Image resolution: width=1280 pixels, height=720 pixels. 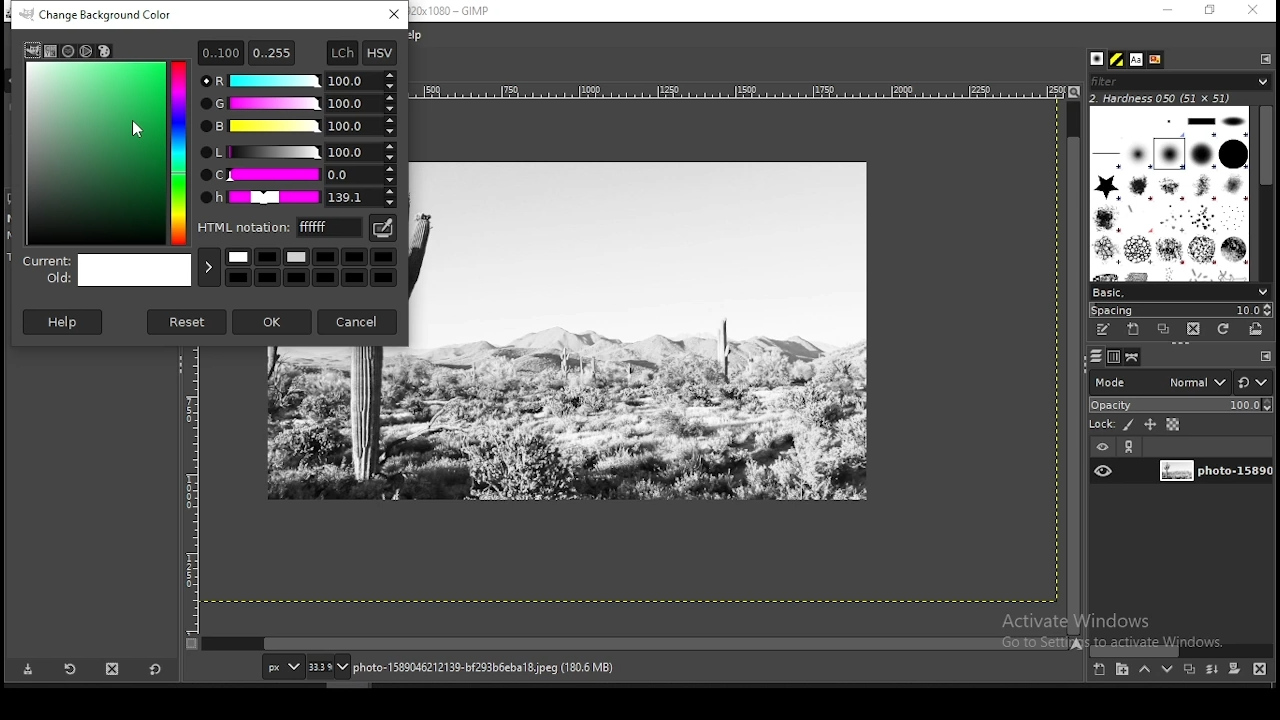 I want to click on patterns, so click(x=1118, y=59).